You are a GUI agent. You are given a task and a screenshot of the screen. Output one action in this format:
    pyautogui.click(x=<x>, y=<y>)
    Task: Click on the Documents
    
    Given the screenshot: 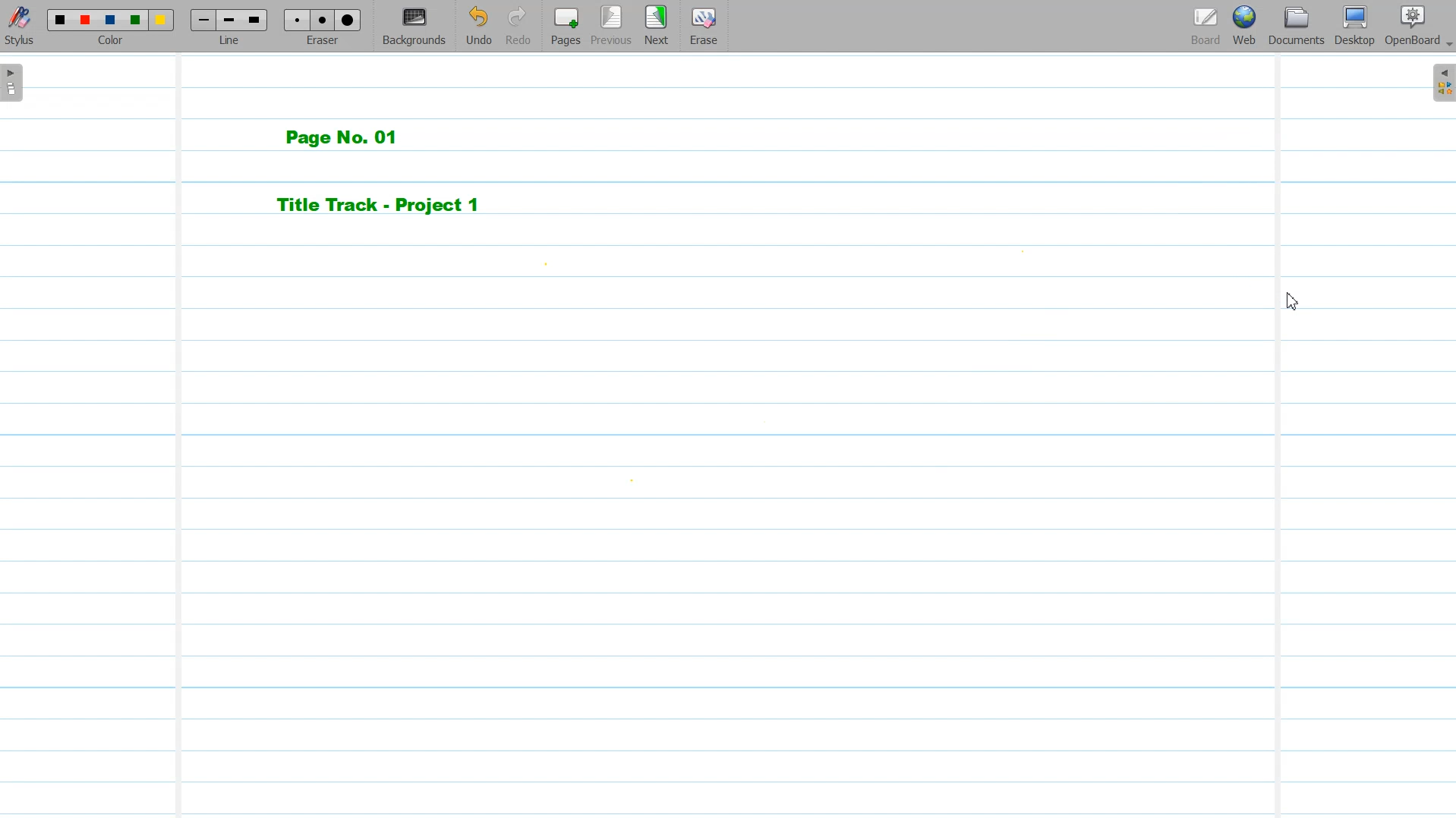 What is the action you would take?
    pyautogui.click(x=1296, y=26)
    